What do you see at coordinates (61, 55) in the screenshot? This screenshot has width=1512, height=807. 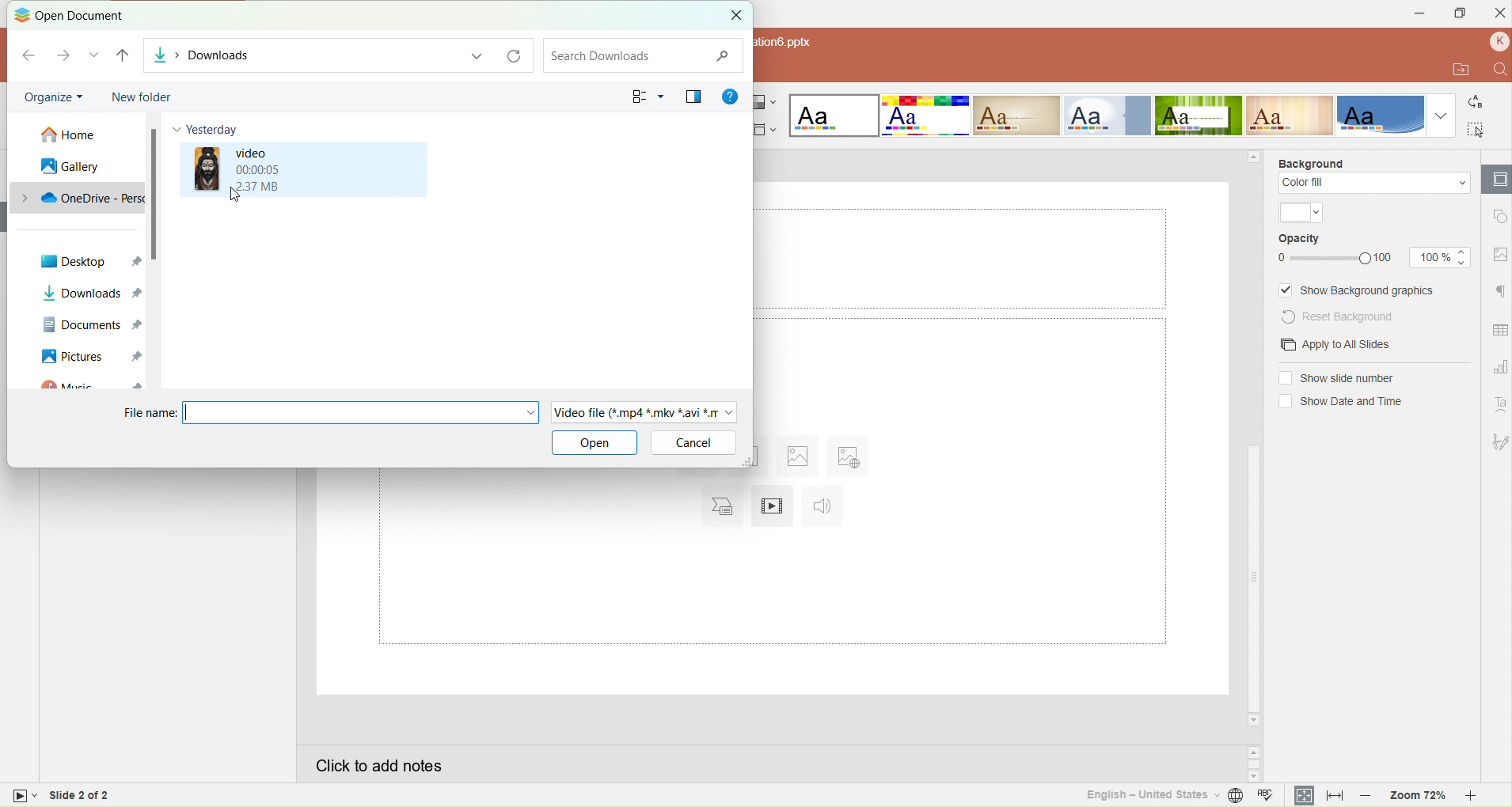 I see `Forward` at bounding box center [61, 55].